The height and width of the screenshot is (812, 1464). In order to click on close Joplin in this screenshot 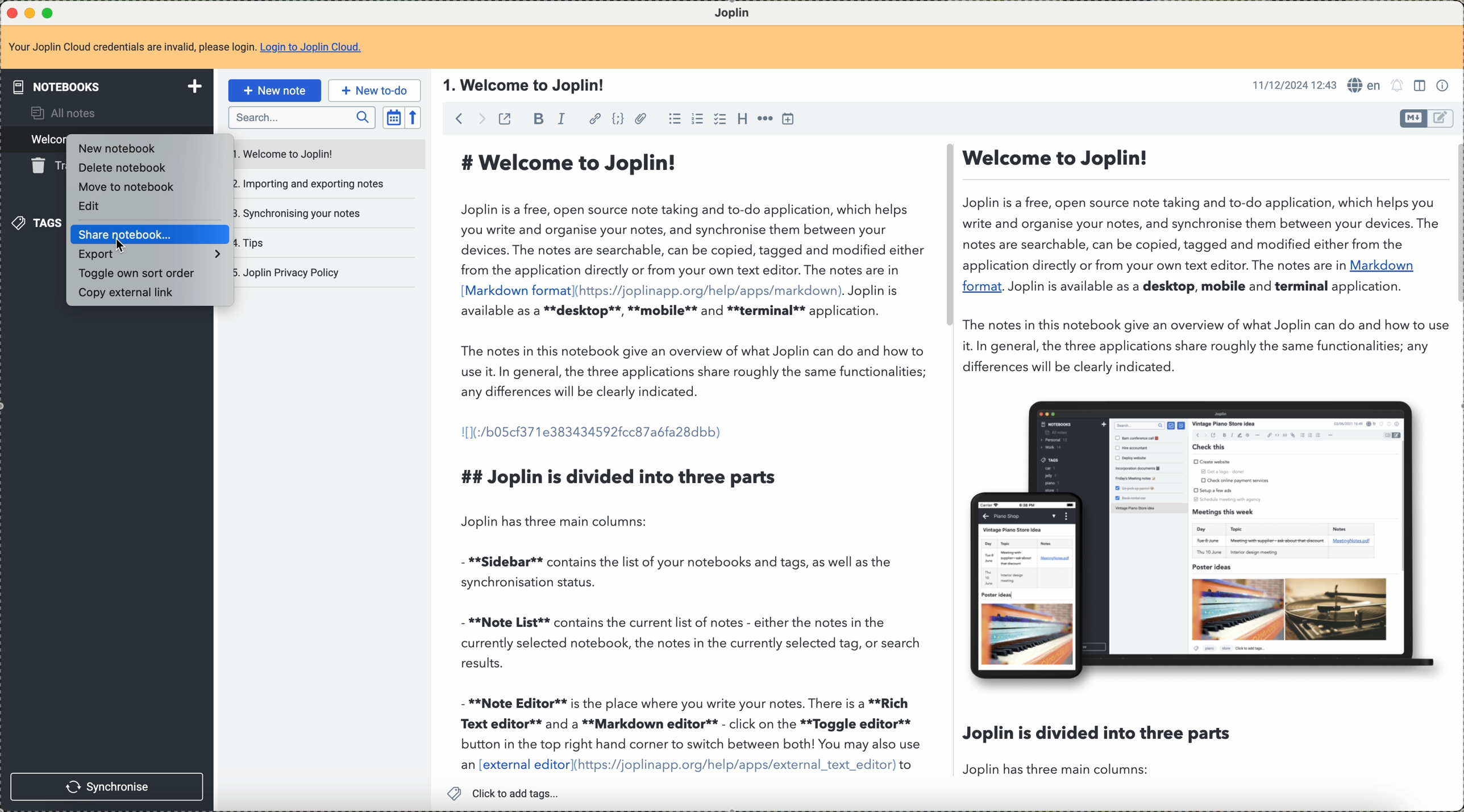, I will do `click(11, 14)`.